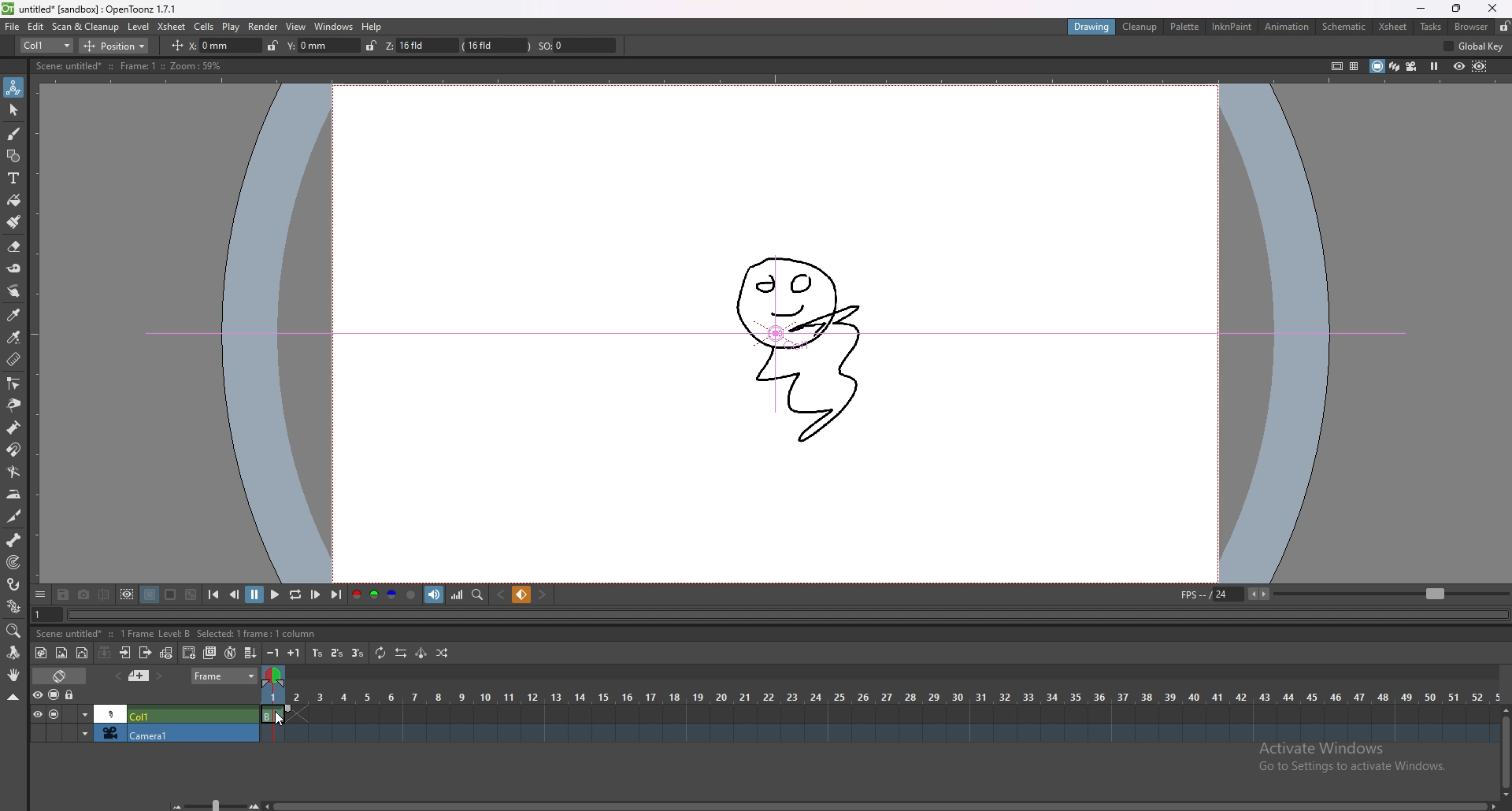 The width and height of the screenshot is (1512, 811). Describe the element at coordinates (170, 594) in the screenshot. I see `white background` at that location.